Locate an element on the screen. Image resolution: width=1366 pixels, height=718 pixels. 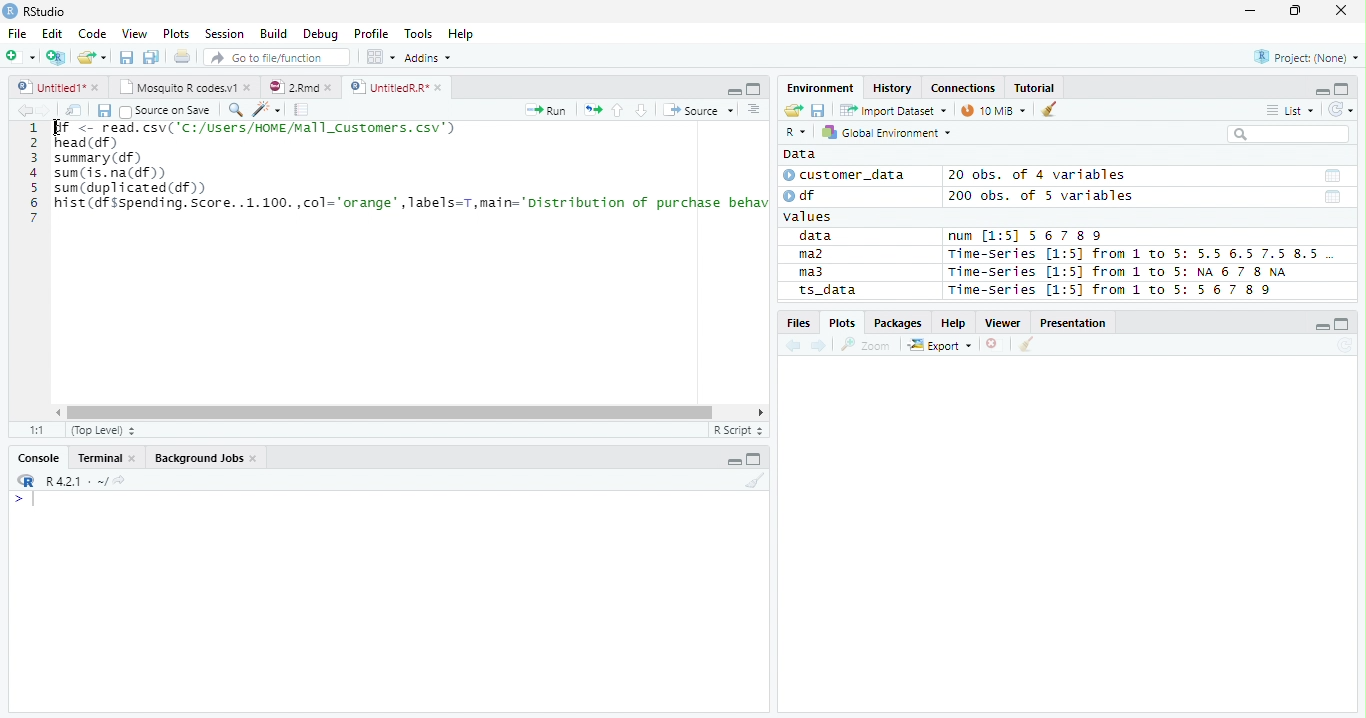
Source is located at coordinates (696, 110).